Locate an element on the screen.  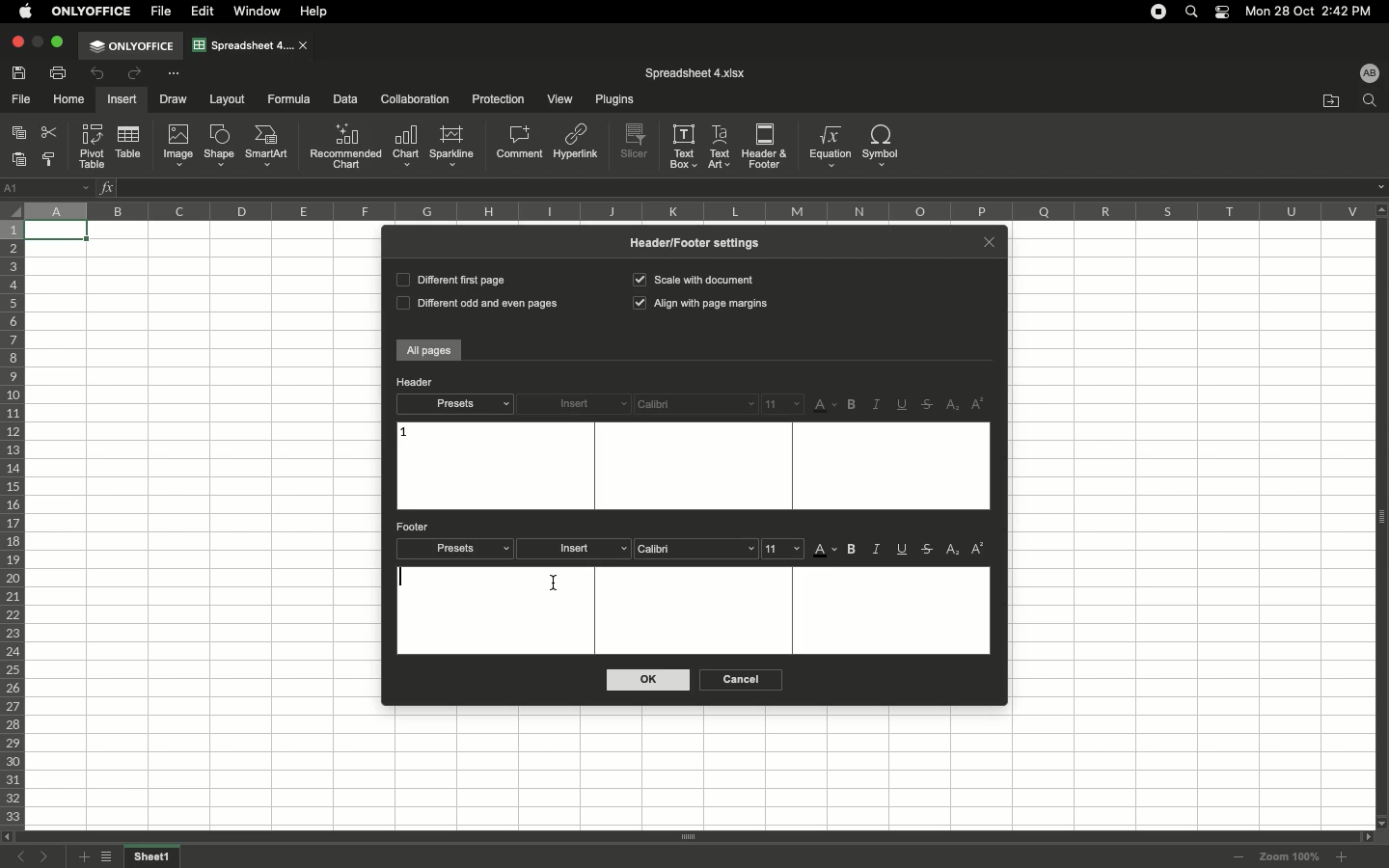
Underline is located at coordinates (904, 551).